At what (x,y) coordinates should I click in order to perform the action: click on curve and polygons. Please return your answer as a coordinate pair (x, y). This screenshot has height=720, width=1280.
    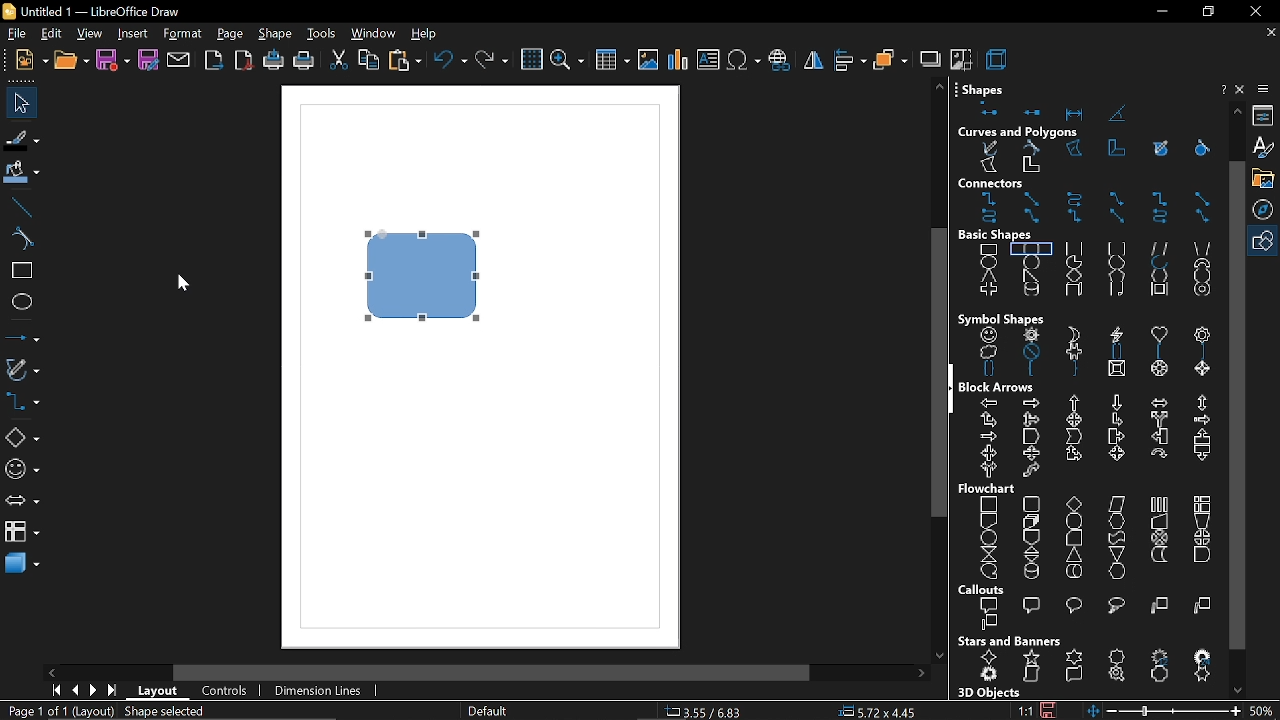
    Looking at the image, I should click on (23, 371).